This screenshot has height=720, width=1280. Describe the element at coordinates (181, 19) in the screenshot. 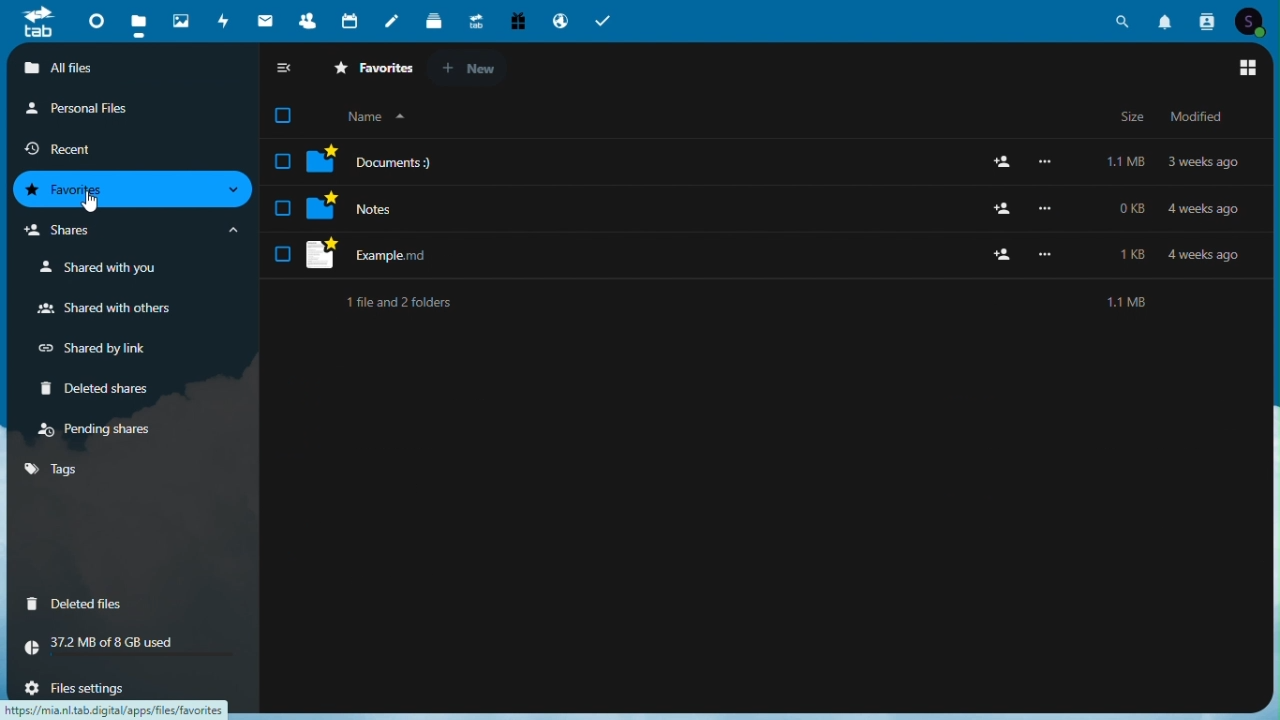

I see `Photos` at that location.